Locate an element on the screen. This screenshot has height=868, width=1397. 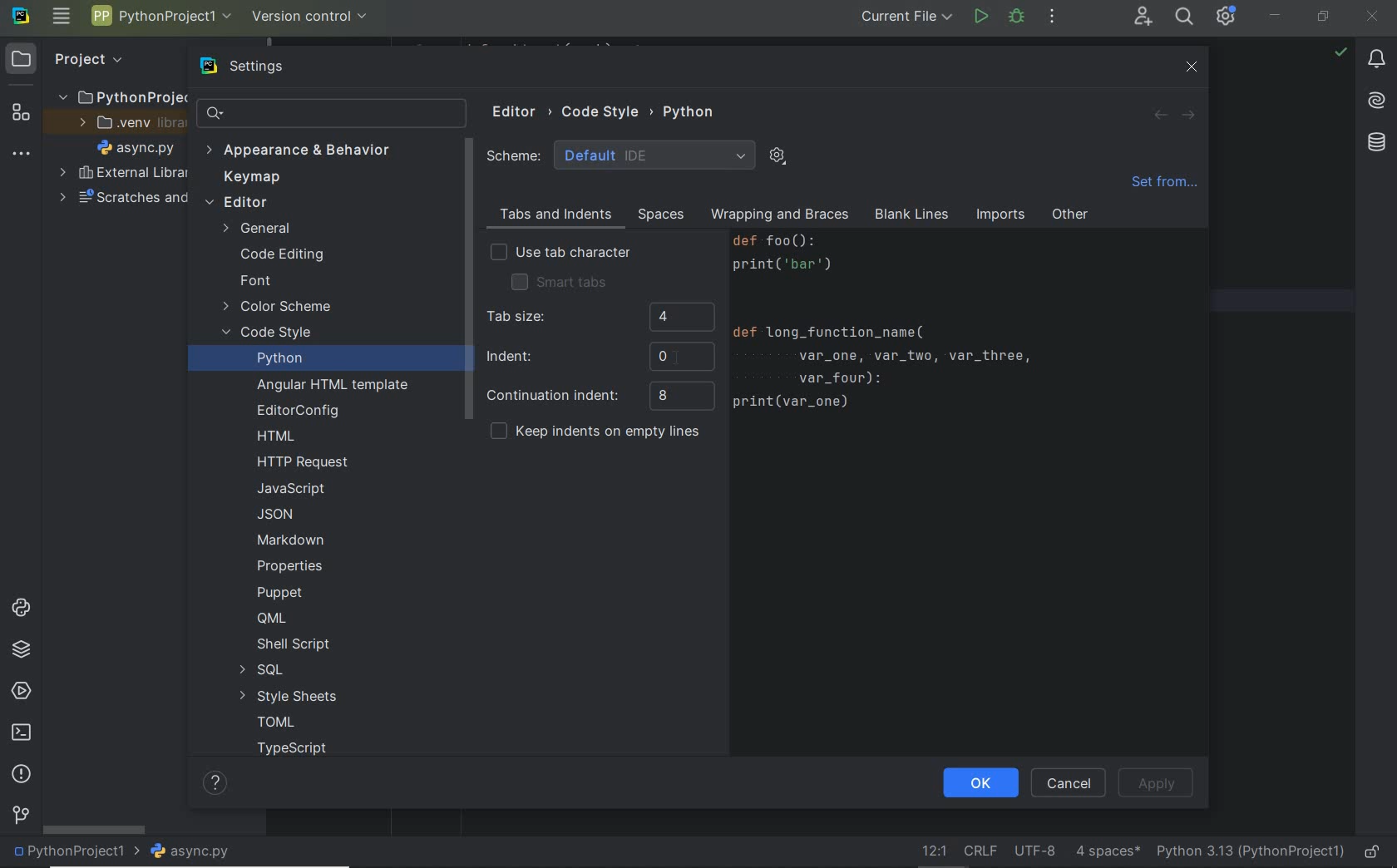
python is located at coordinates (279, 358).